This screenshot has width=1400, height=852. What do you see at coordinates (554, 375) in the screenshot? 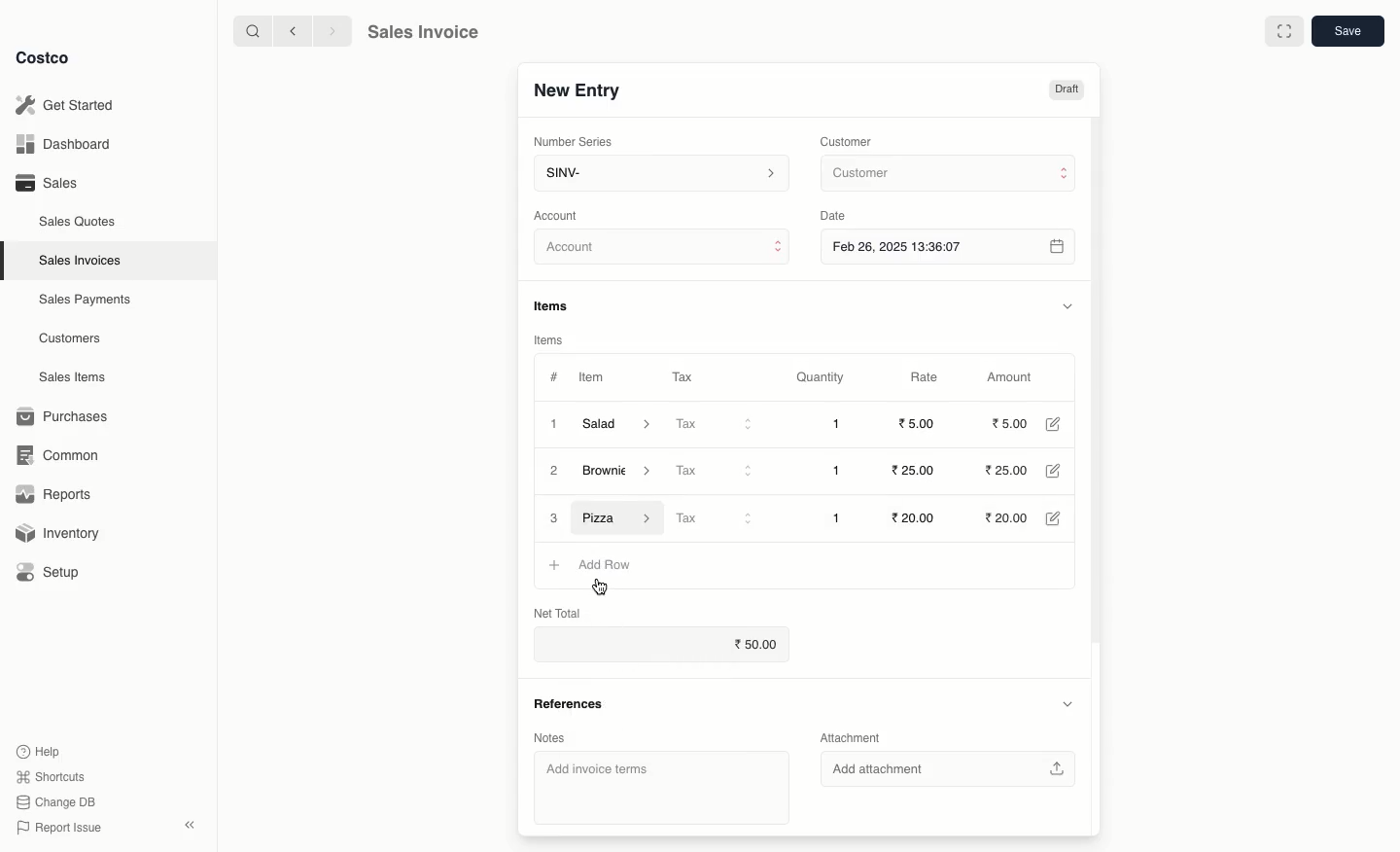
I see `#` at bounding box center [554, 375].